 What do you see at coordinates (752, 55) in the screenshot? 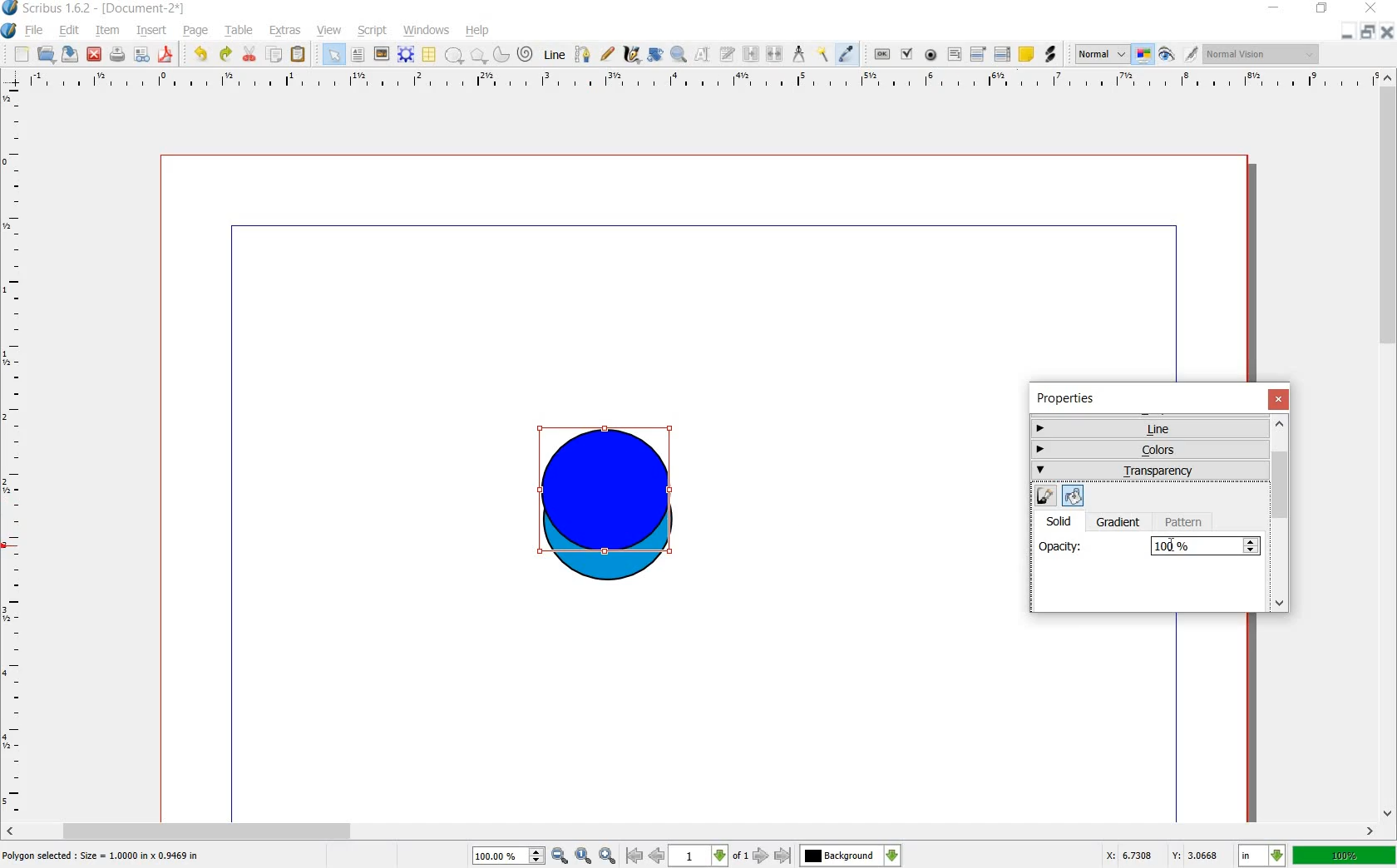
I see `link text frames` at bounding box center [752, 55].